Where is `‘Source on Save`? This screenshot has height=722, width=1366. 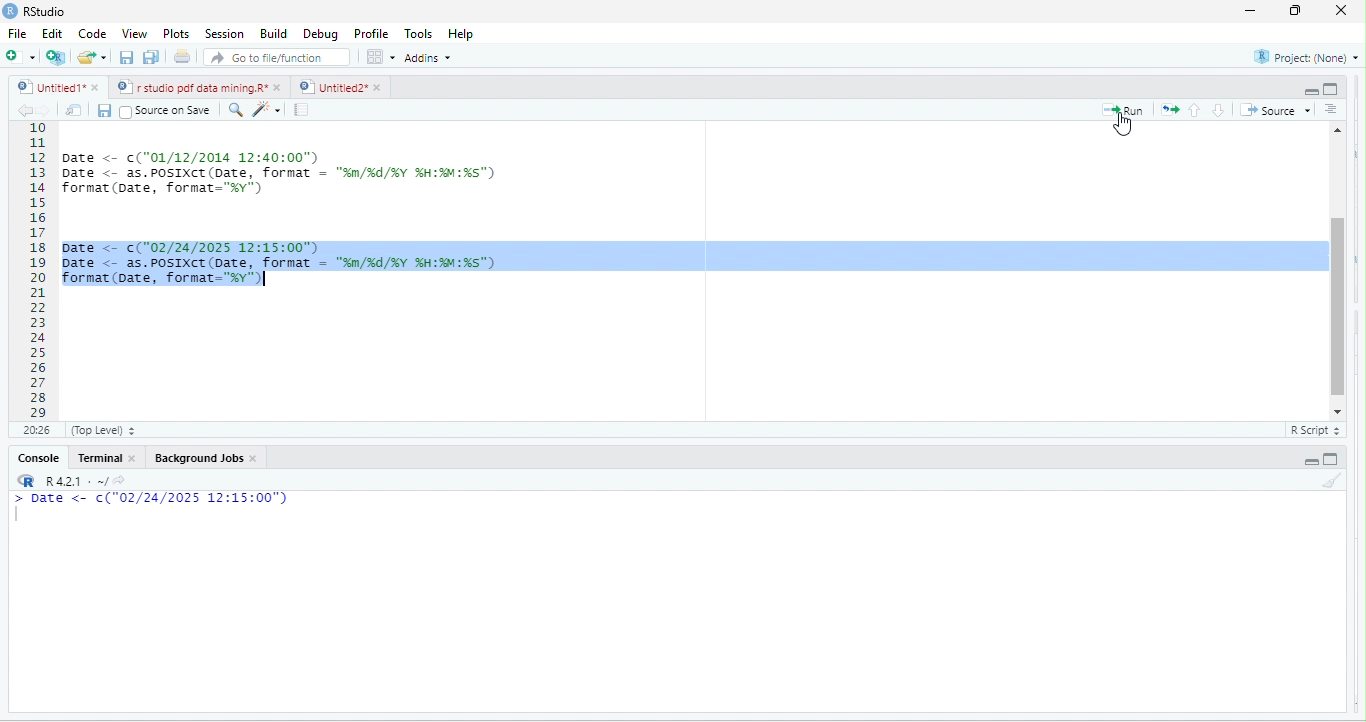 ‘Source on Save is located at coordinates (165, 110).